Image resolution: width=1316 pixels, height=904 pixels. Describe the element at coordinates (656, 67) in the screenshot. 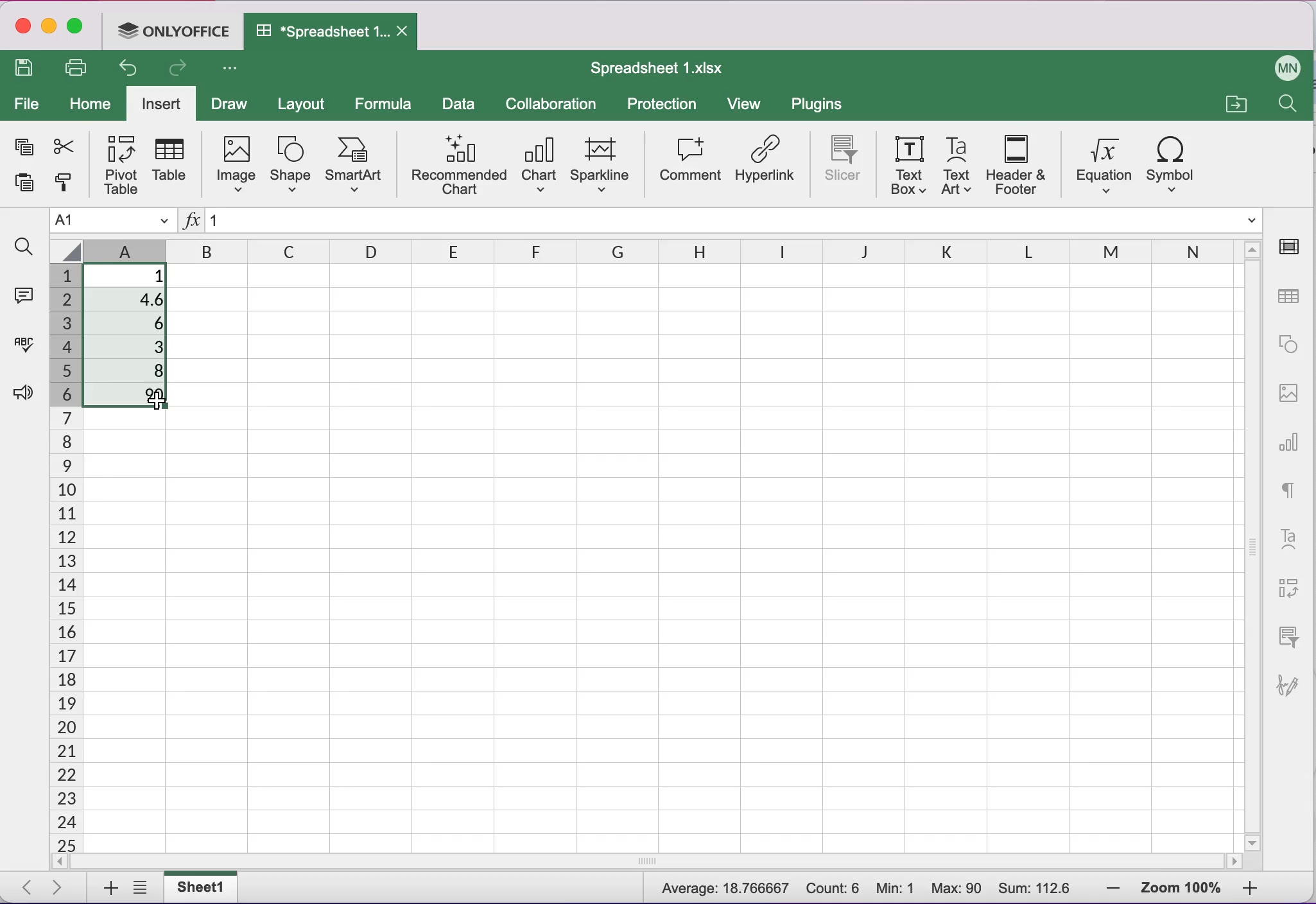

I see `Spreadsheet 1.xIsx` at that location.